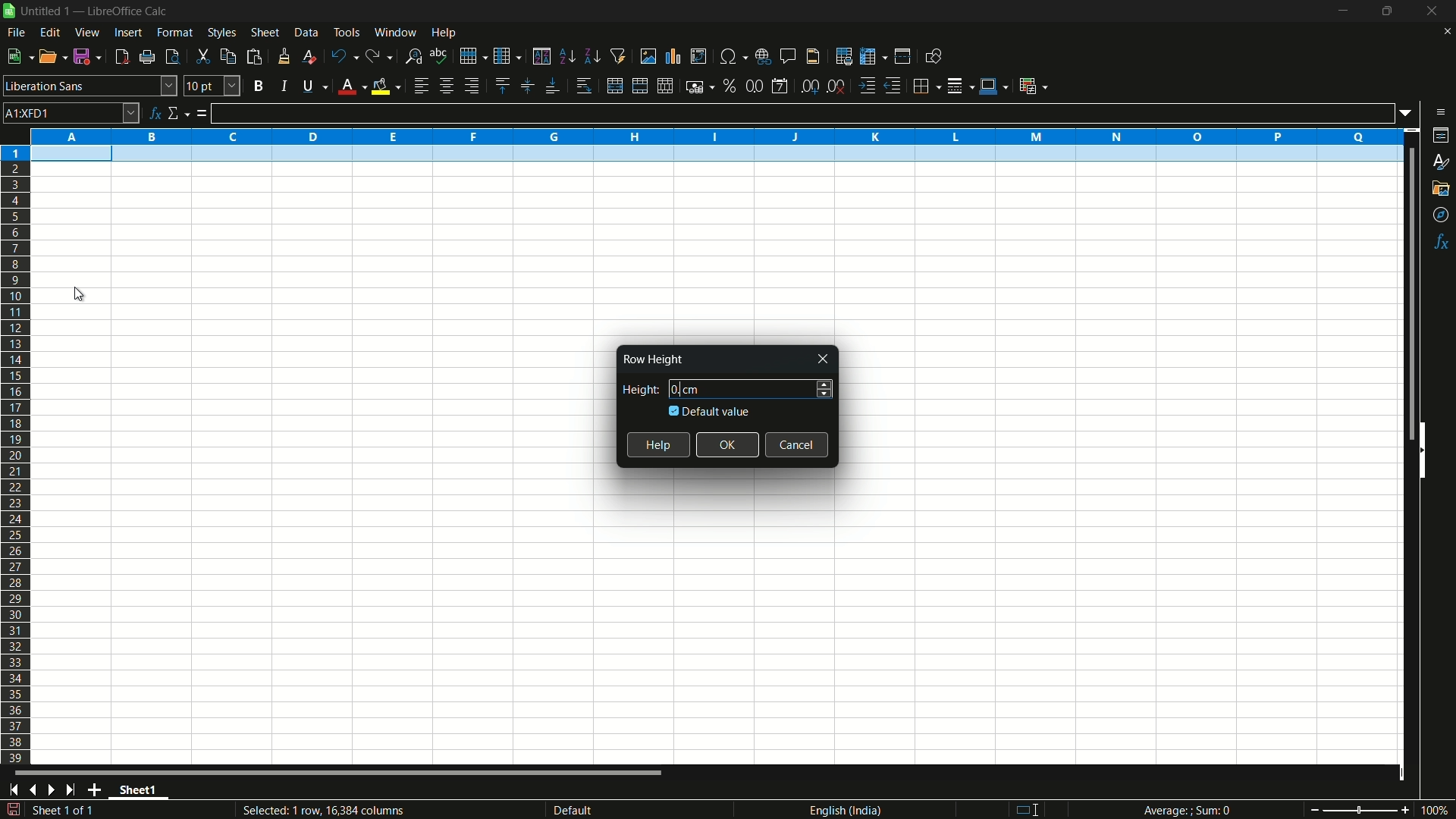 The height and width of the screenshot is (819, 1456). Describe the element at coordinates (54, 57) in the screenshot. I see `open file` at that location.